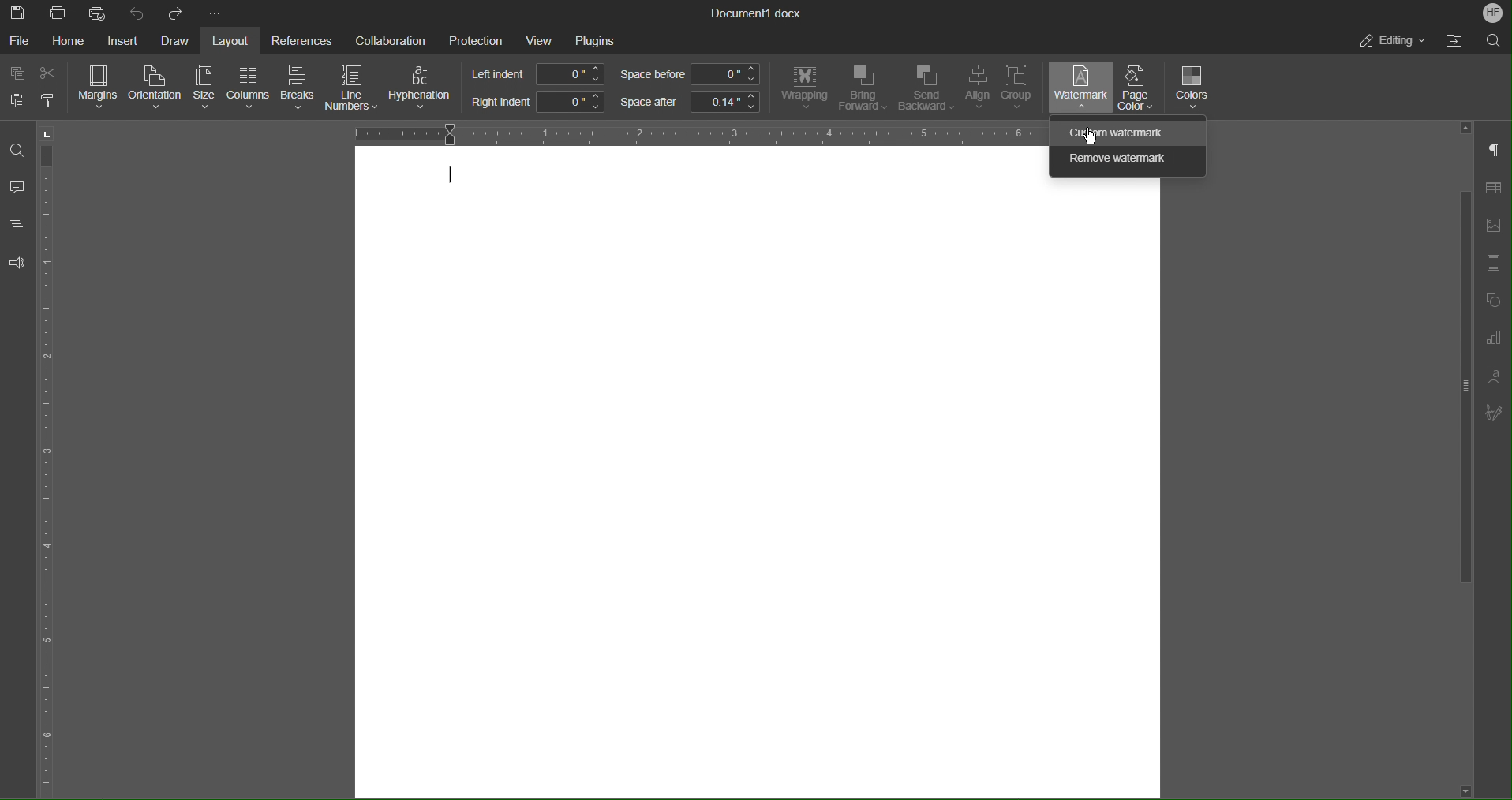 This screenshot has height=800, width=1512. What do you see at coordinates (1492, 264) in the screenshot?
I see `Page Template` at bounding box center [1492, 264].